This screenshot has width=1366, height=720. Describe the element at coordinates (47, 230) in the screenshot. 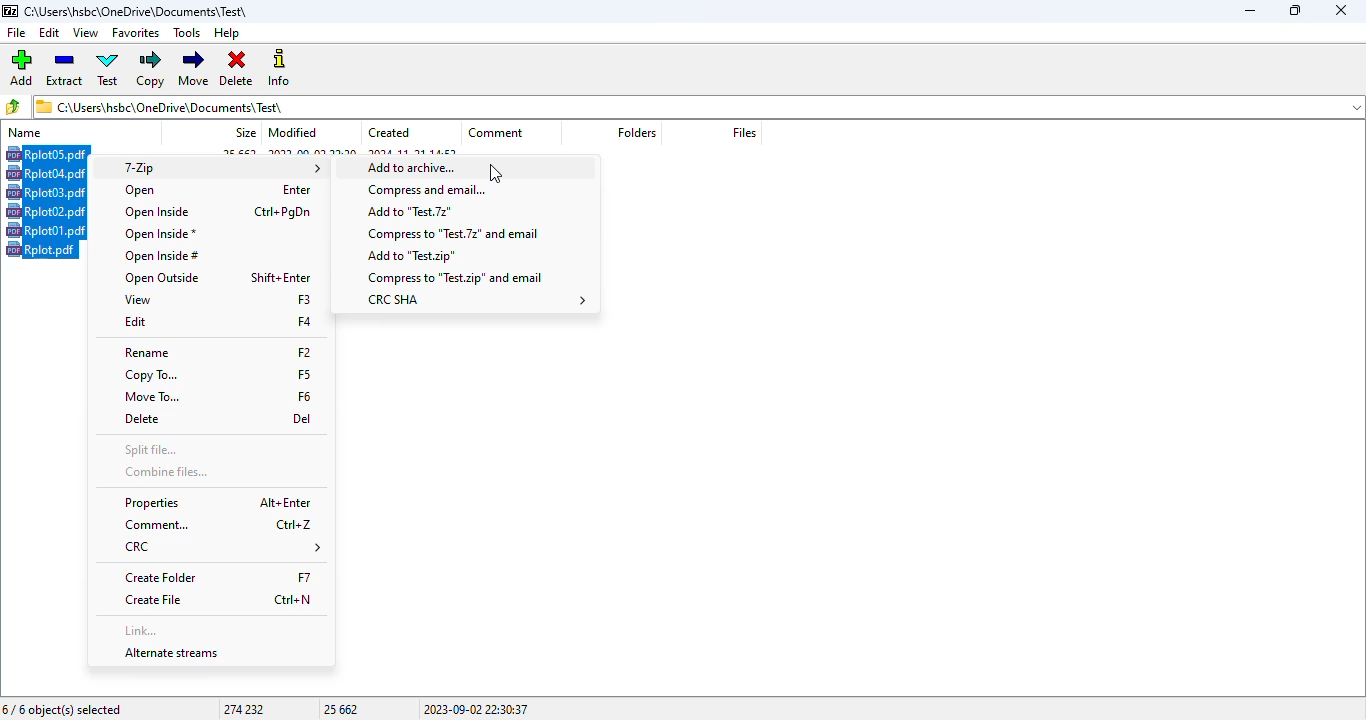

I see `rplot01` at that location.